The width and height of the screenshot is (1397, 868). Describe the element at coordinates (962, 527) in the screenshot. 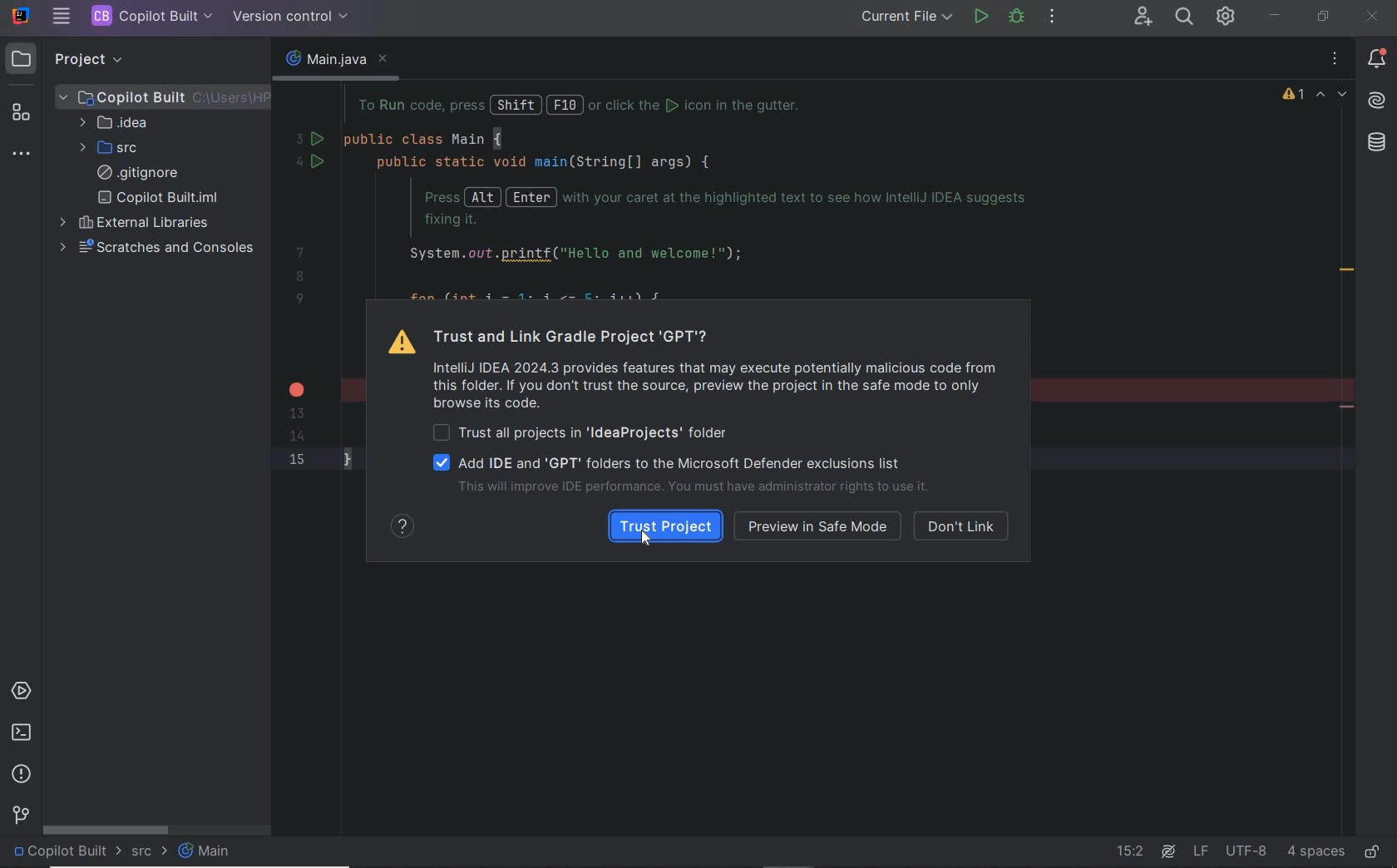

I see `don't link` at that location.